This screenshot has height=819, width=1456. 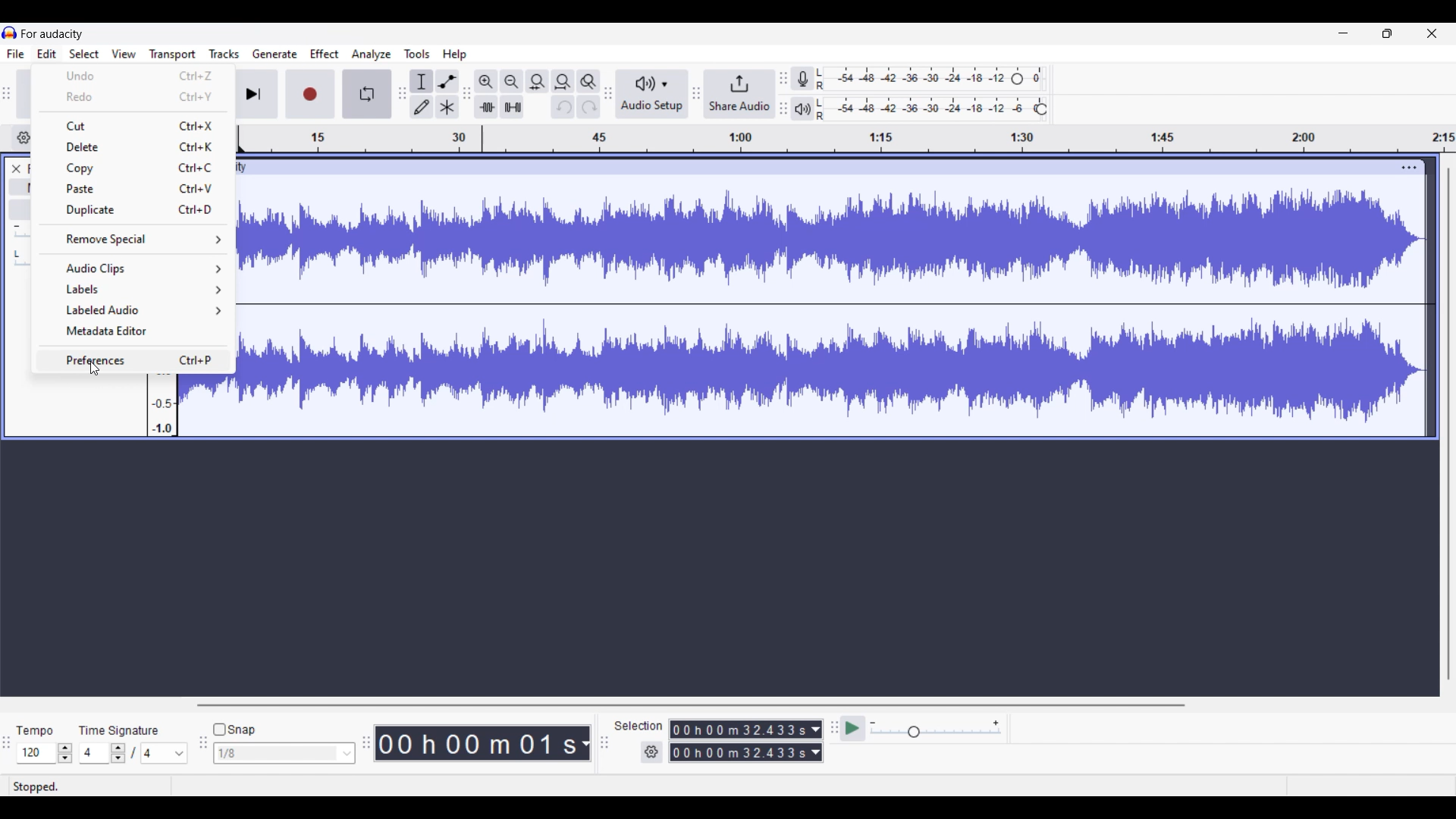 I want to click on Selection tool, so click(x=422, y=81).